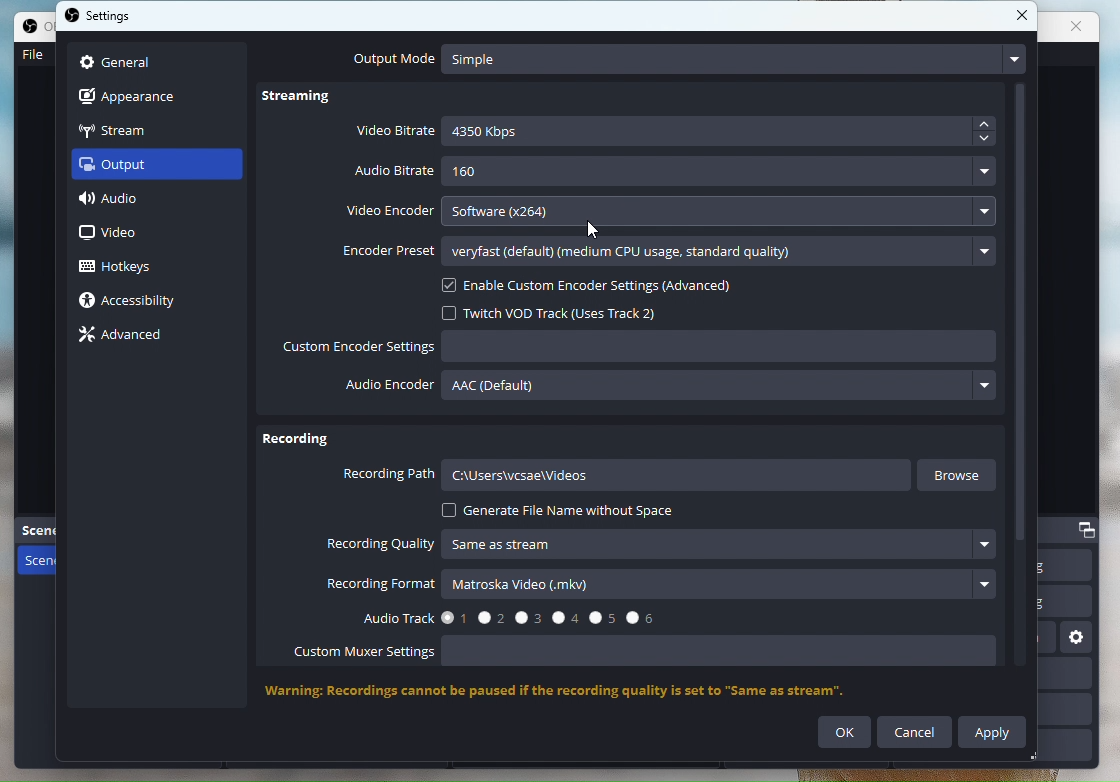 This screenshot has height=782, width=1120. Describe the element at coordinates (131, 202) in the screenshot. I see `Audio` at that location.